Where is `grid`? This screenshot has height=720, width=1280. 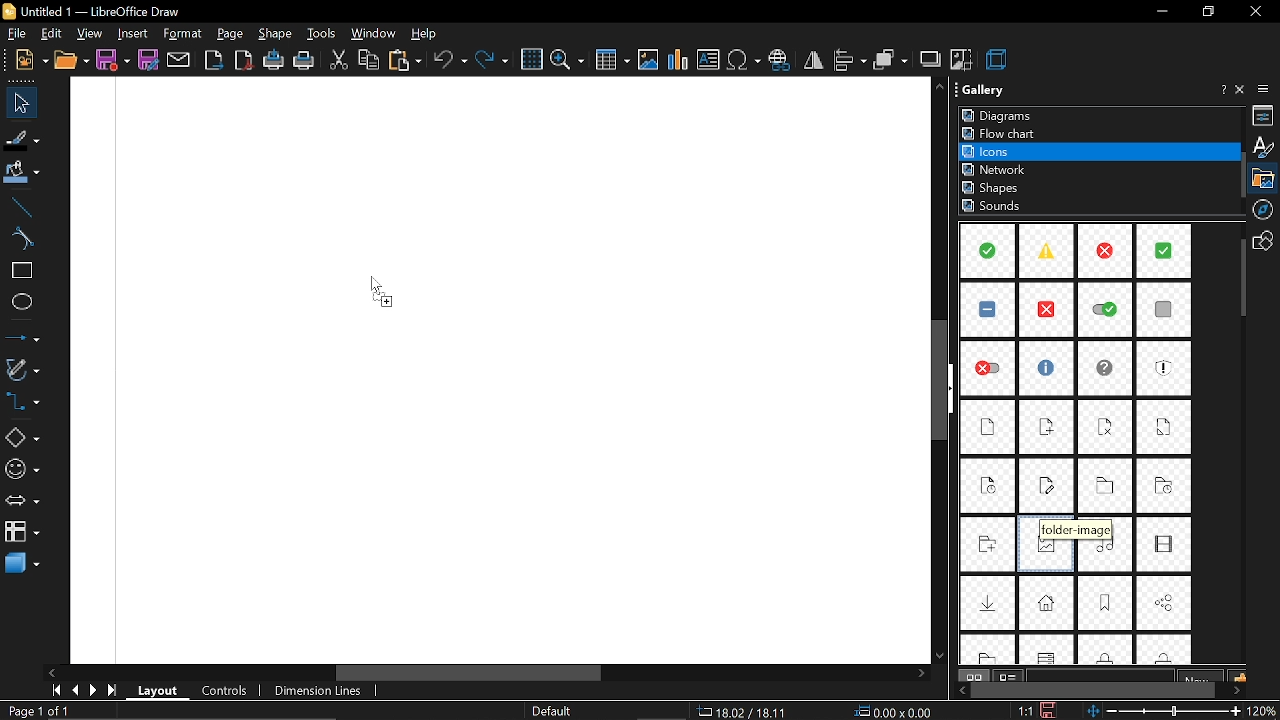
grid is located at coordinates (531, 59).